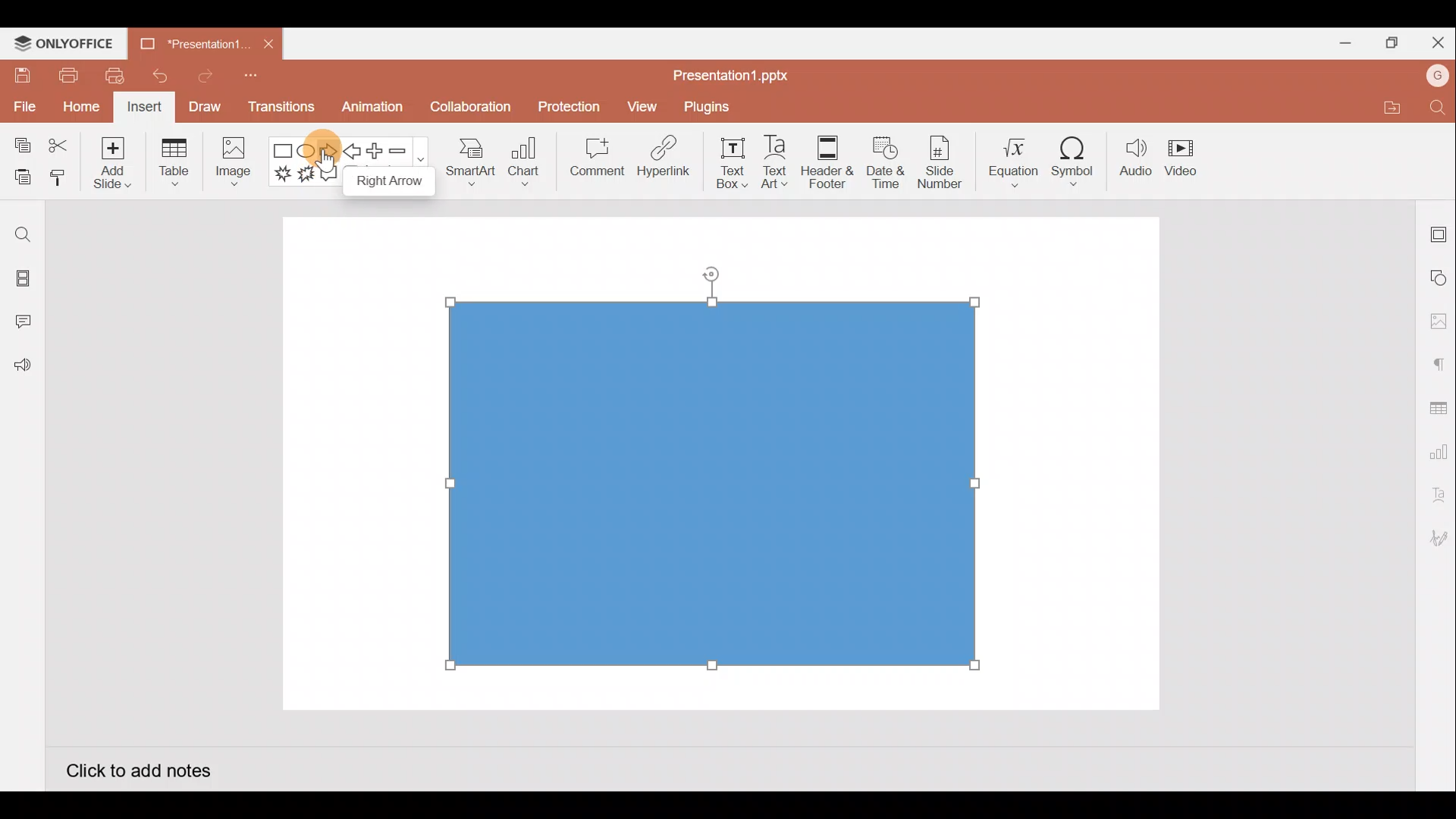 This screenshot has width=1456, height=819. What do you see at coordinates (1439, 231) in the screenshot?
I see `Slide settings` at bounding box center [1439, 231].